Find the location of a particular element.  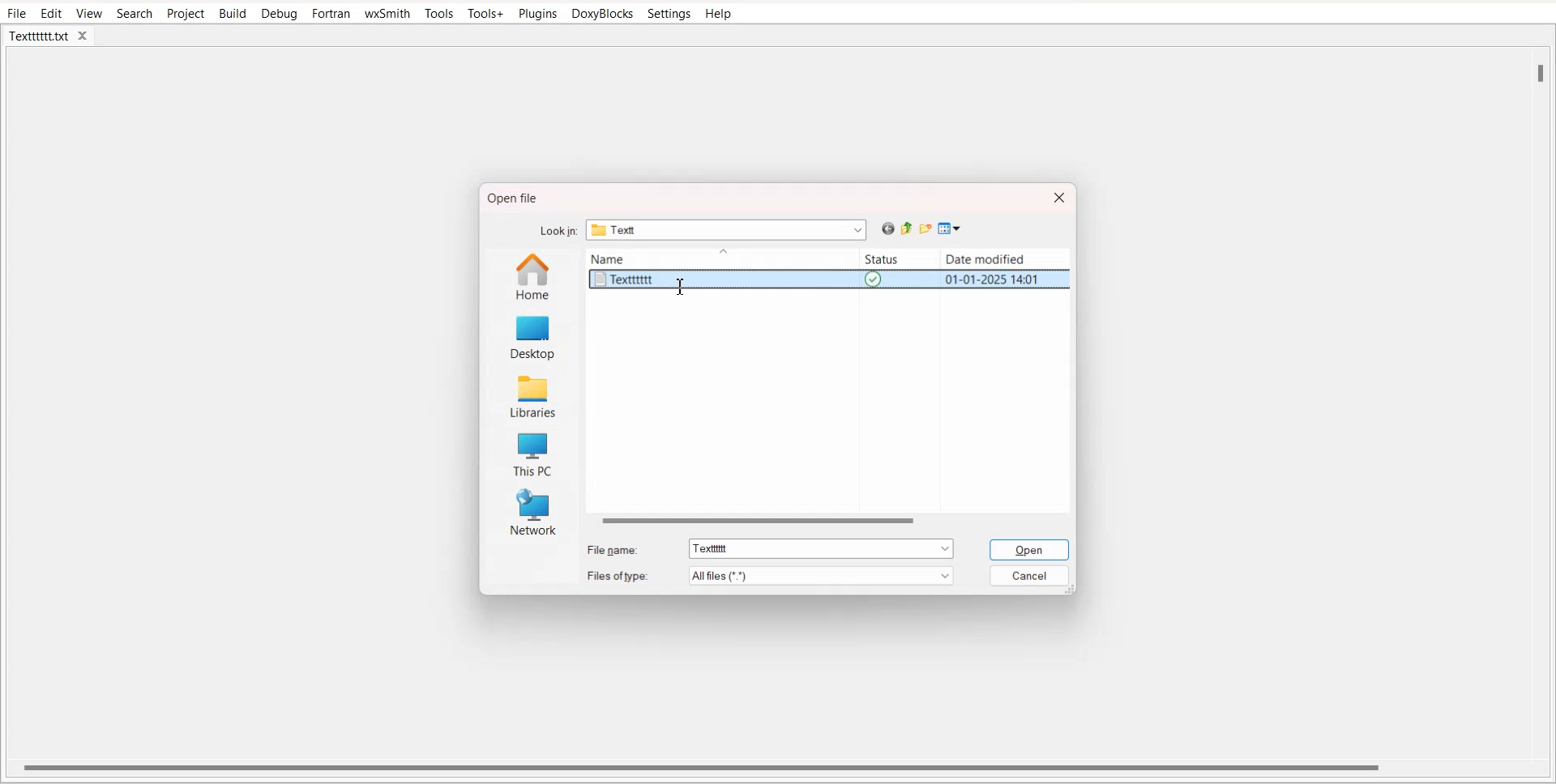

Textttttt text file is located at coordinates (825, 279).